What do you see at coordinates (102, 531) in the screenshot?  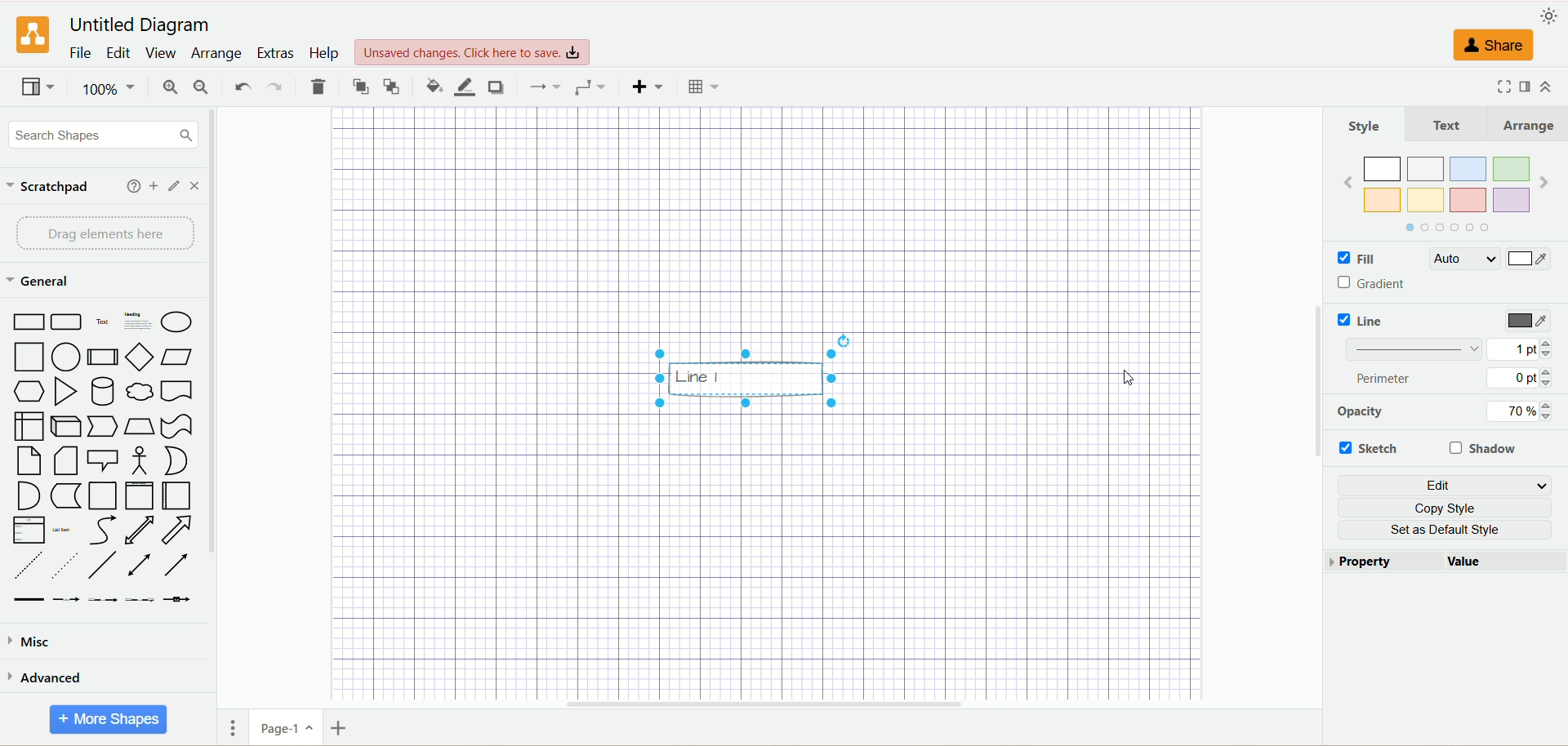 I see `Curve` at bounding box center [102, 531].